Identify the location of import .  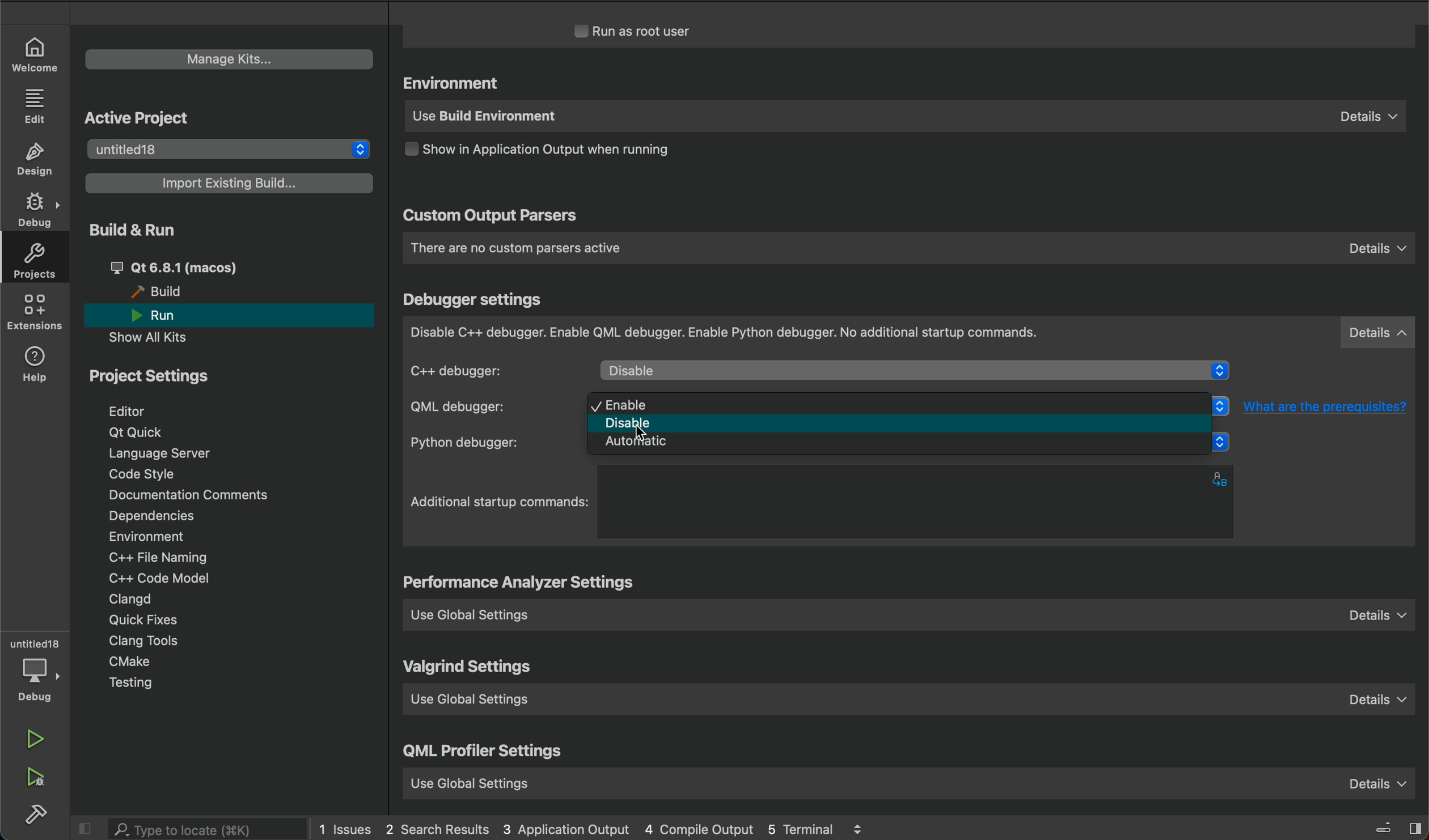
(231, 183).